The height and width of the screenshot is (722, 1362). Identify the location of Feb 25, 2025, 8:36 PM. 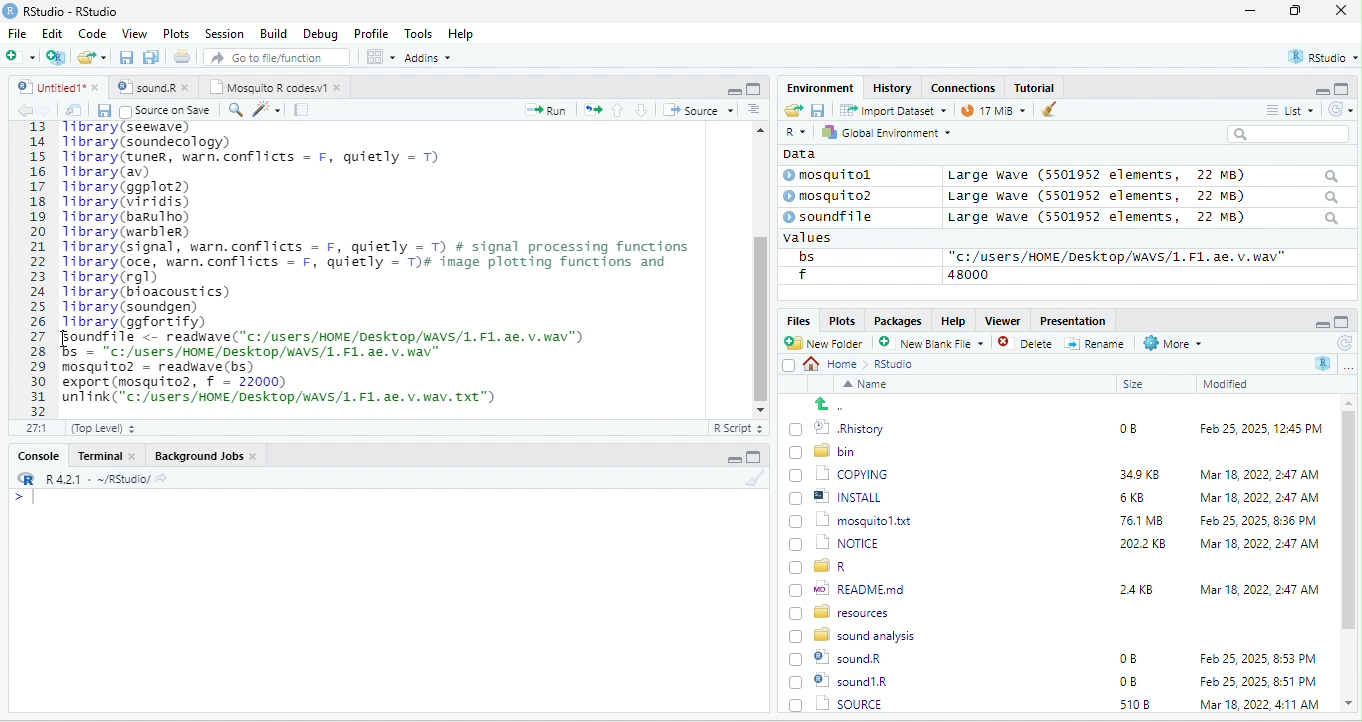
(1254, 520).